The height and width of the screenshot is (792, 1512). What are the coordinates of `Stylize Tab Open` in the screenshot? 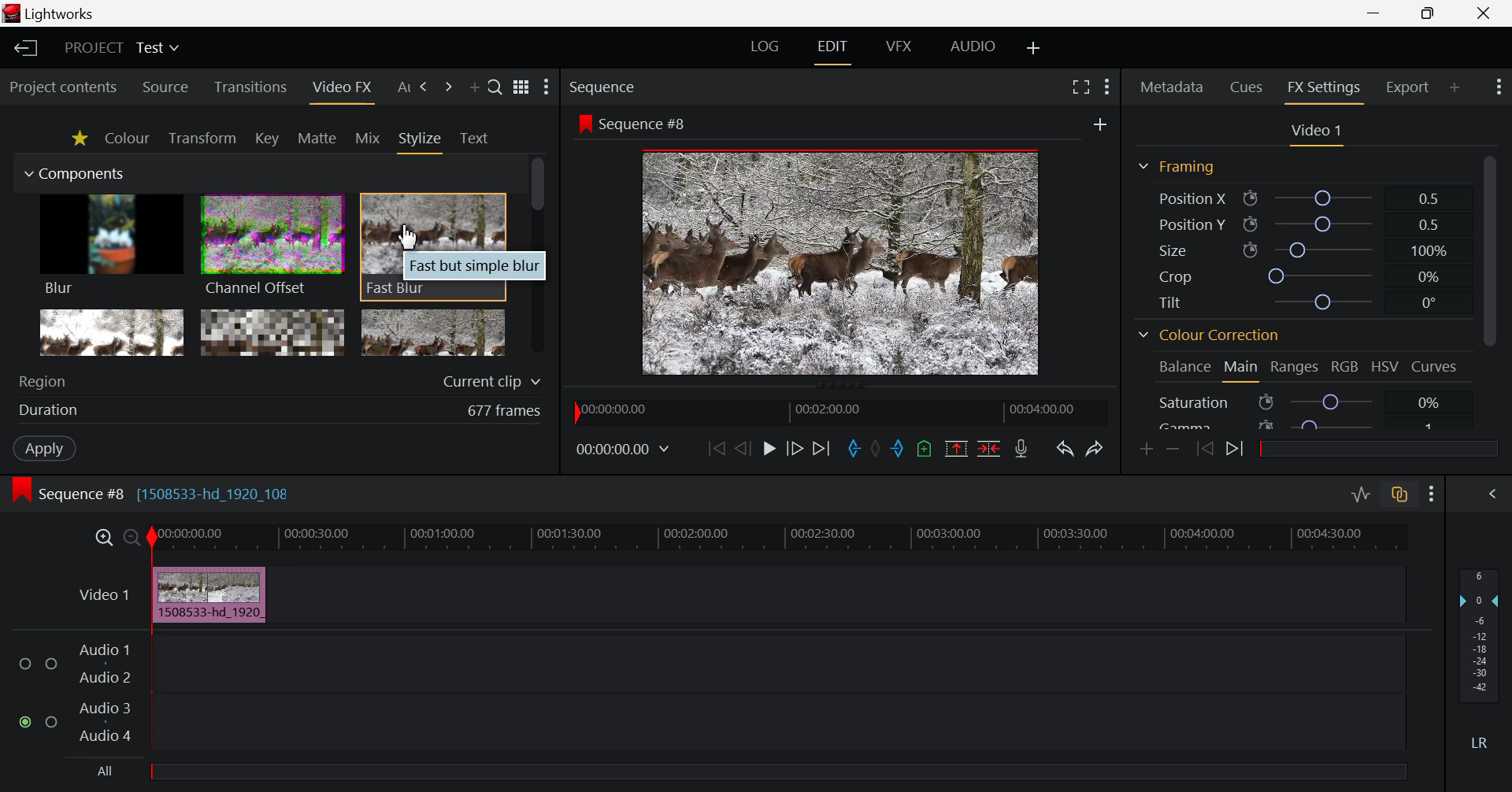 It's located at (420, 139).